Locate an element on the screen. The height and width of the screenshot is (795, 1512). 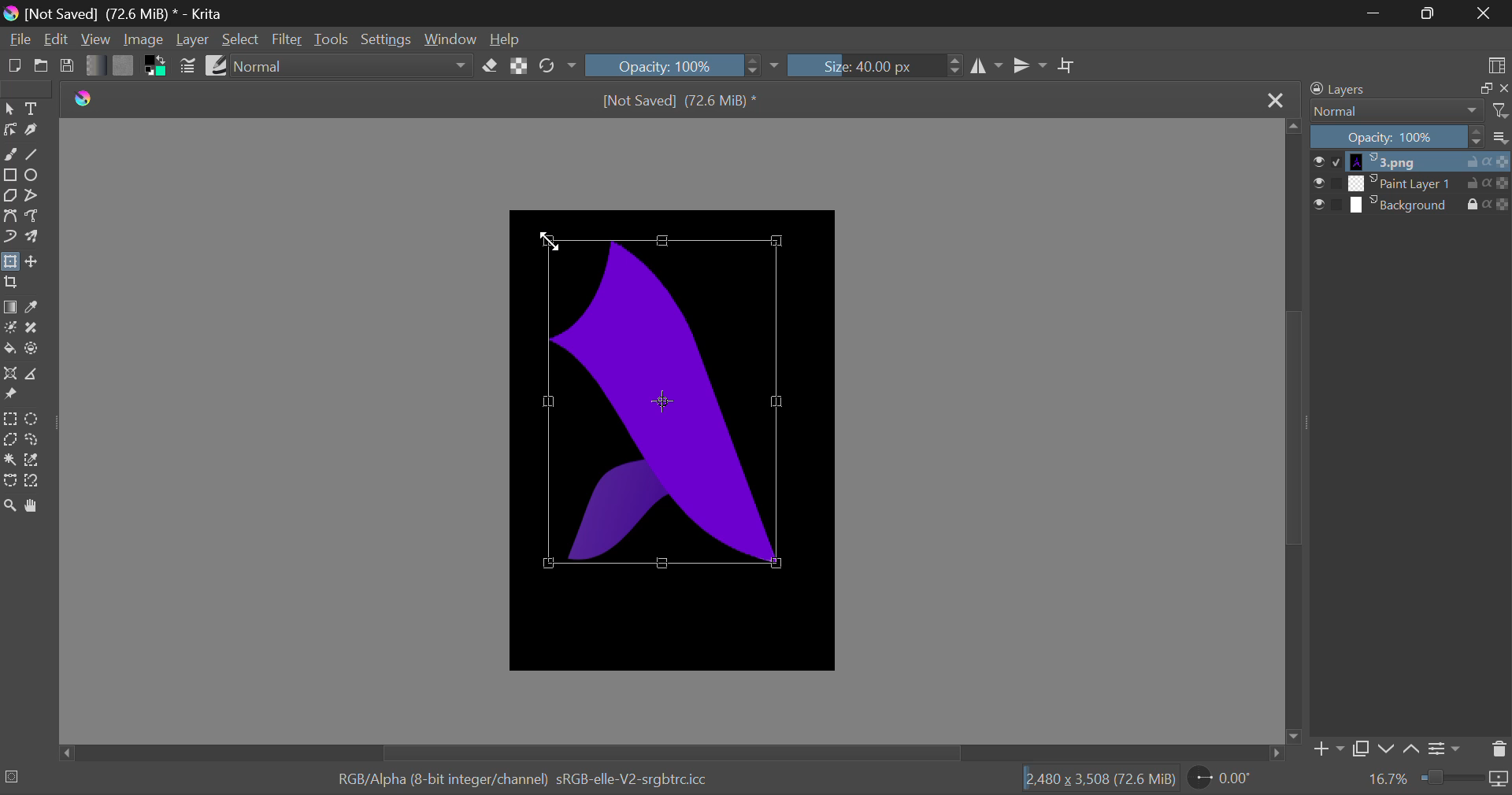
Eyedropper is located at coordinates (36, 309).